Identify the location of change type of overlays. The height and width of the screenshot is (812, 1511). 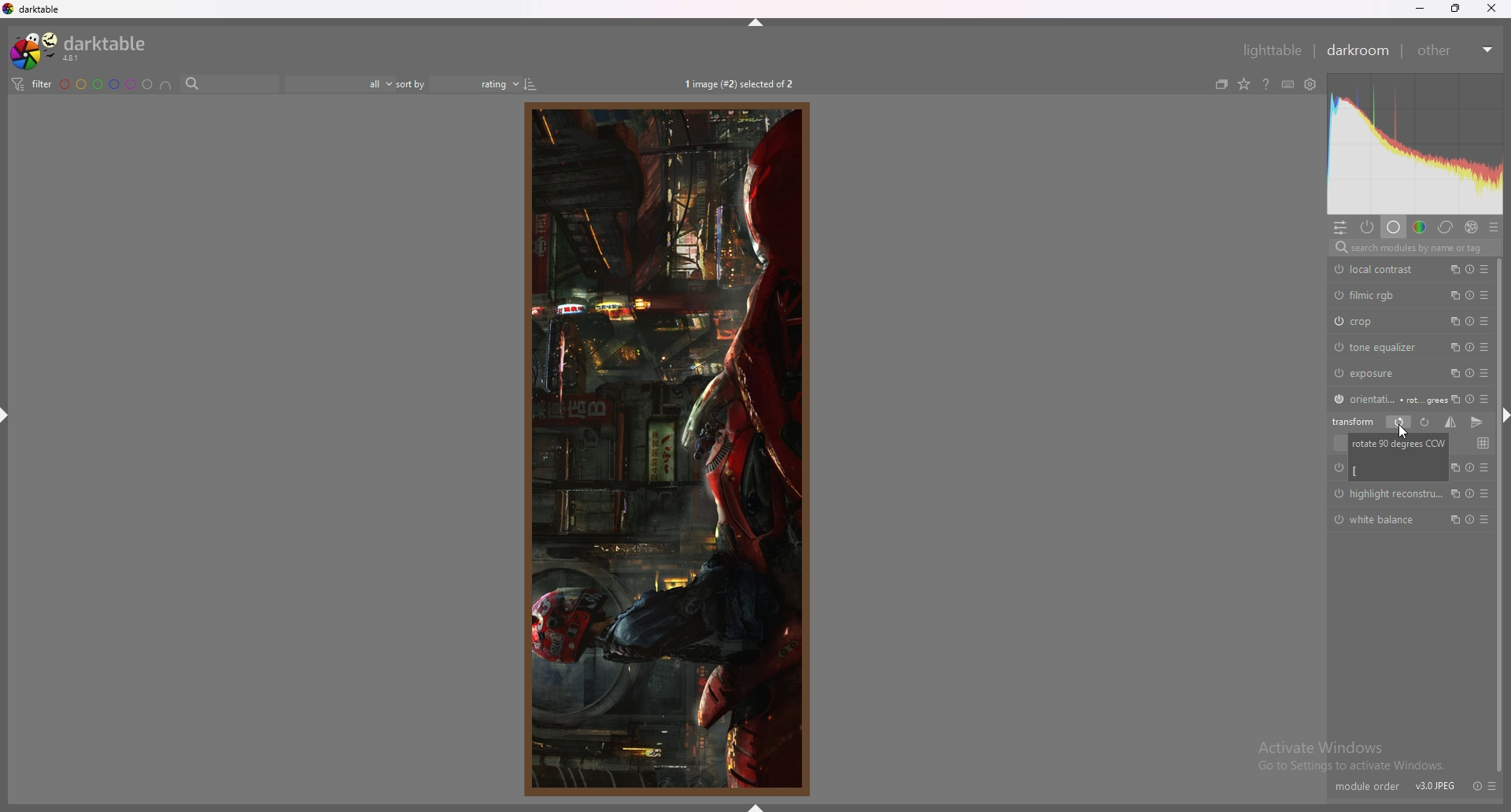
(1245, 83).